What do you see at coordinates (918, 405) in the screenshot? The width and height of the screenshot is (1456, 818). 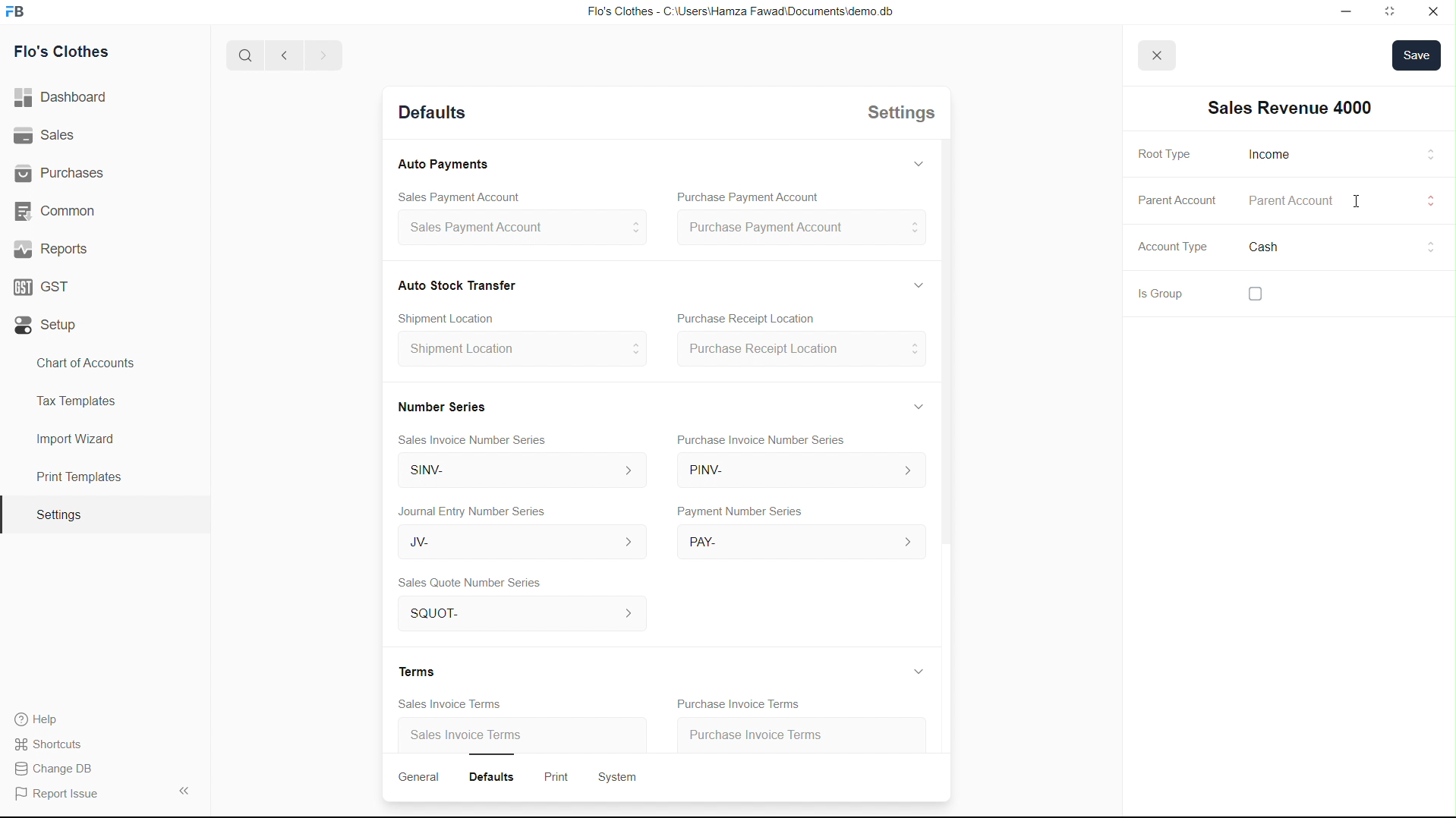 I see `Hide ` at bounding box center [918, 405].